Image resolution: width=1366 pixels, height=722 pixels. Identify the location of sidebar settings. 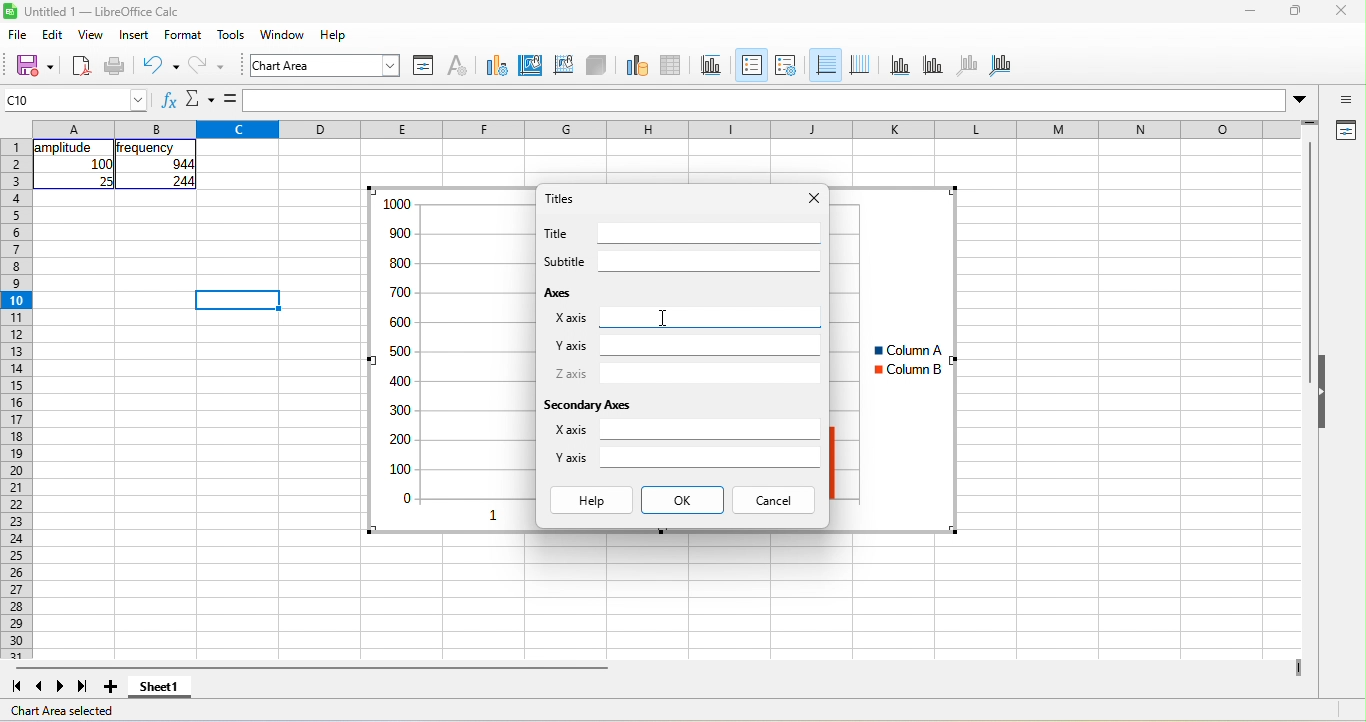
(1344, 99).